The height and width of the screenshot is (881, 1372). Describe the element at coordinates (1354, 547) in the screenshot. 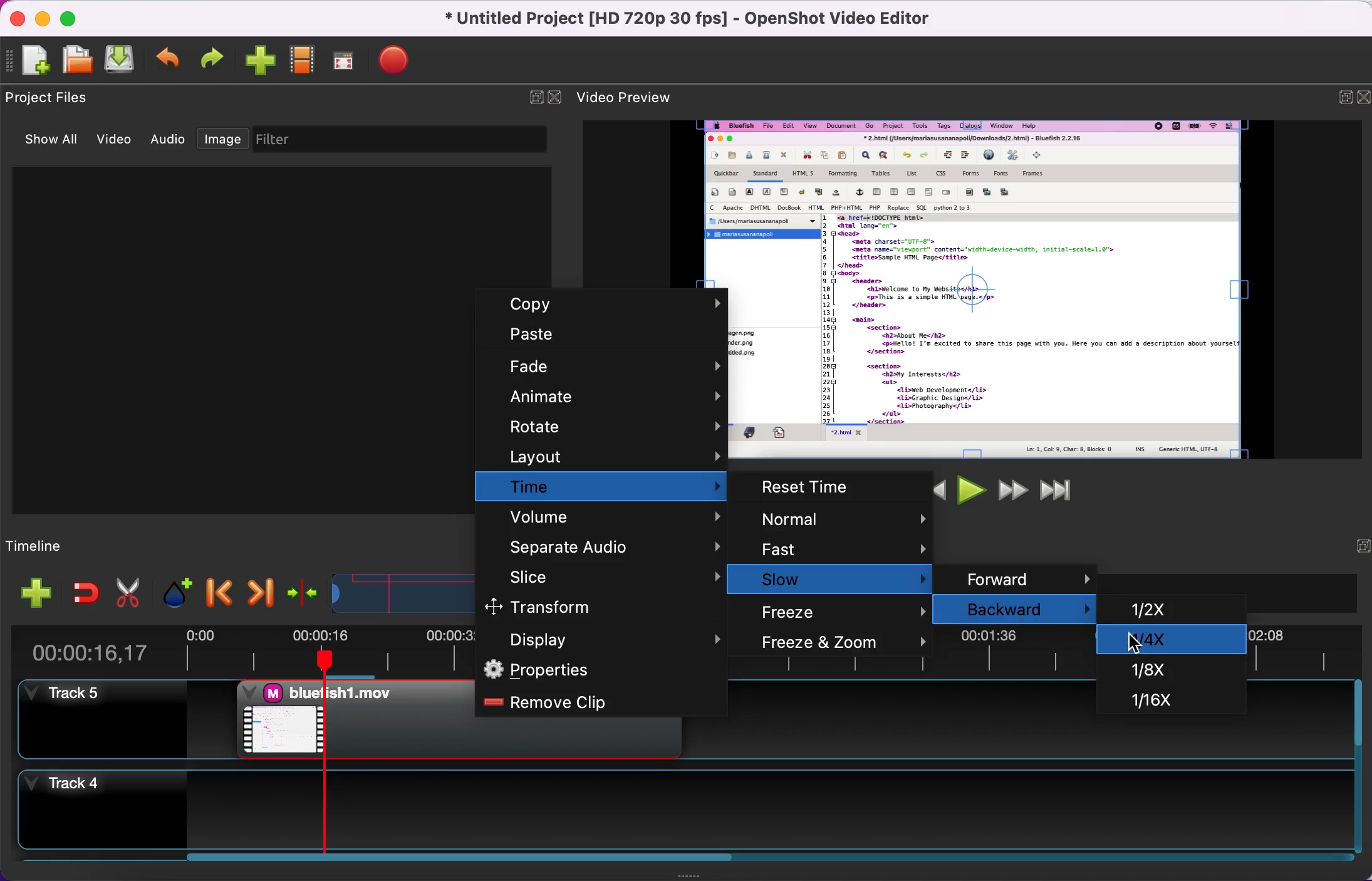

I see `hide/expand` at that location.